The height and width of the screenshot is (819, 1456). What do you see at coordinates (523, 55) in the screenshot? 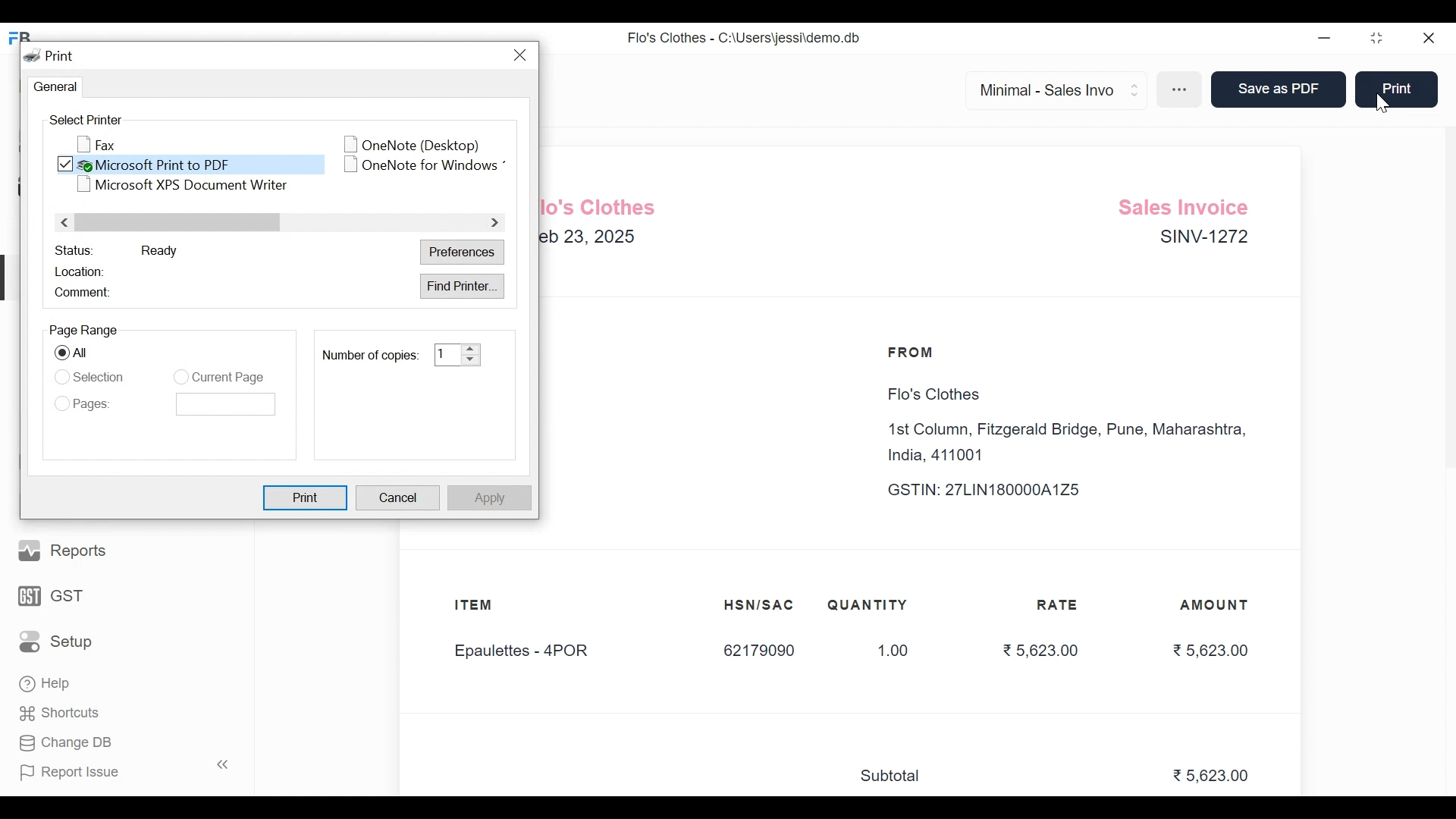
I see `close` at bounding box center [523, 55].